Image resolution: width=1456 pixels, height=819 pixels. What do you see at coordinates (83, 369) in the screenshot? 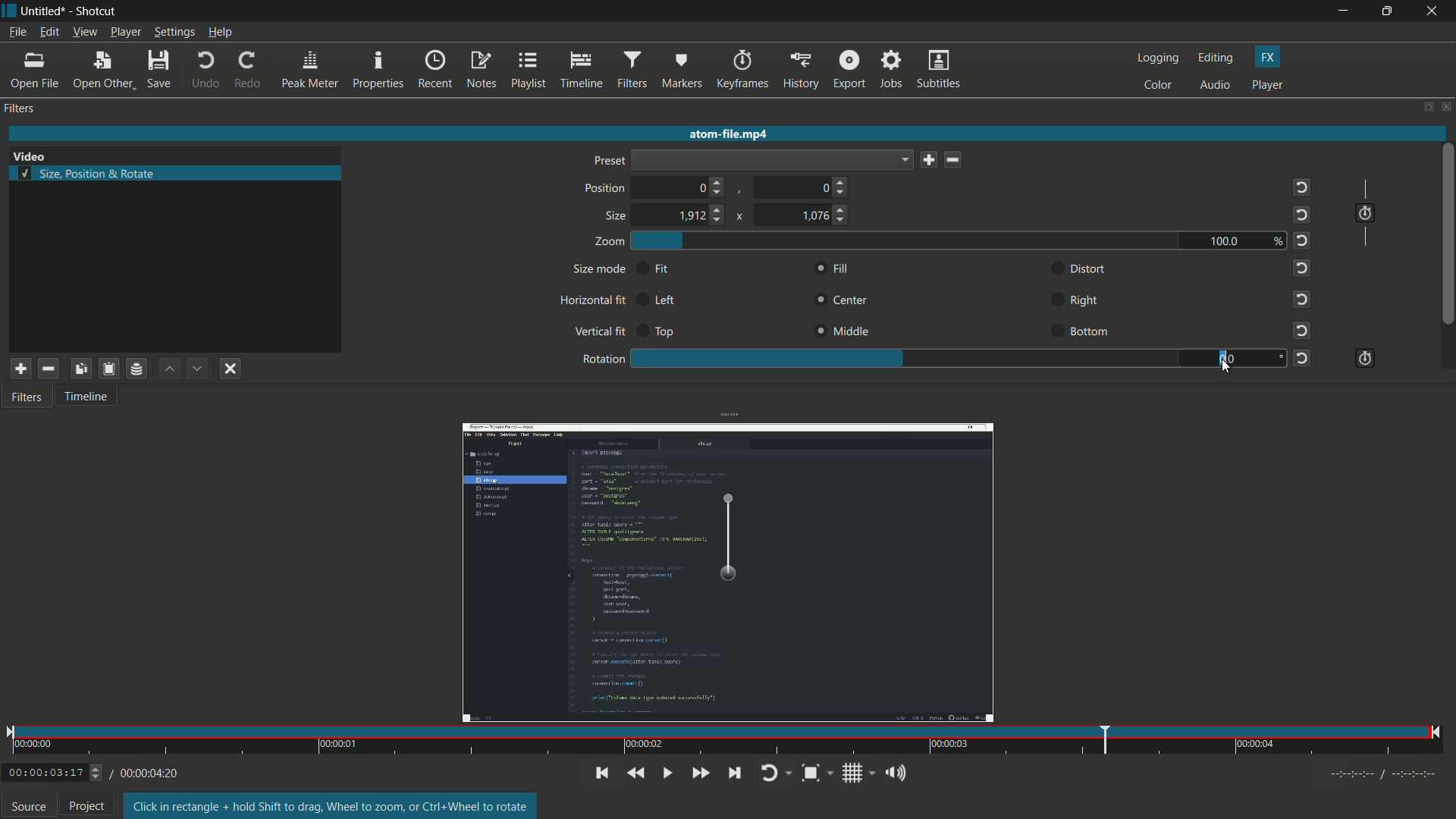
I see `copy selected filter` at bounding box center [83, 369].